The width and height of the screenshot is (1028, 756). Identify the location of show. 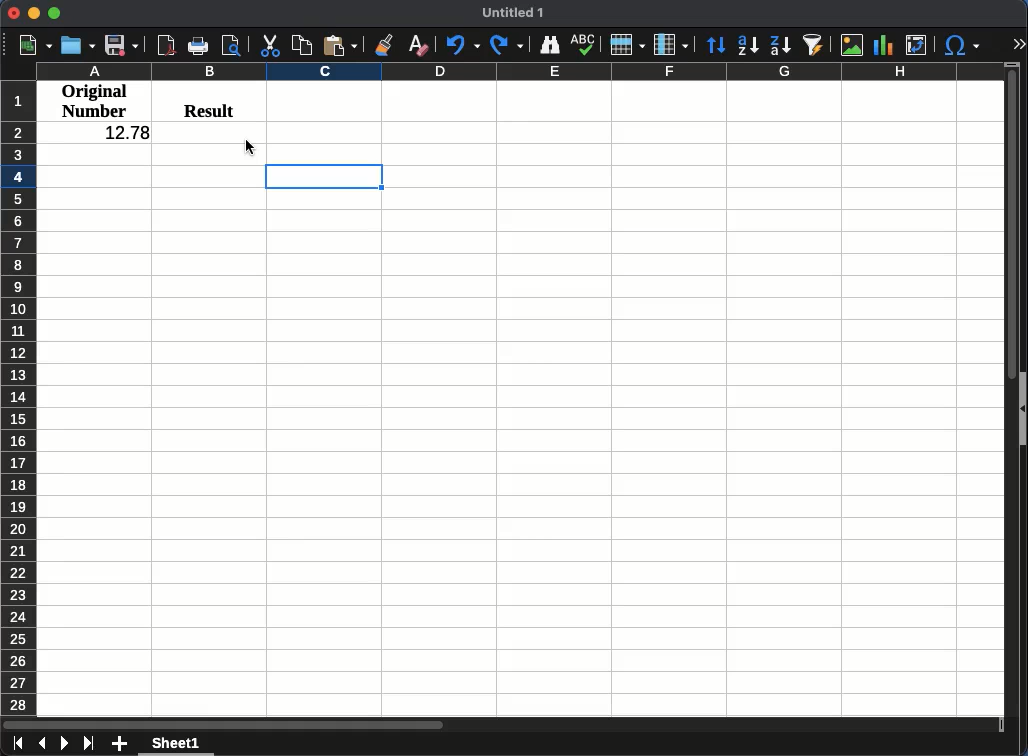
(1022, 413).